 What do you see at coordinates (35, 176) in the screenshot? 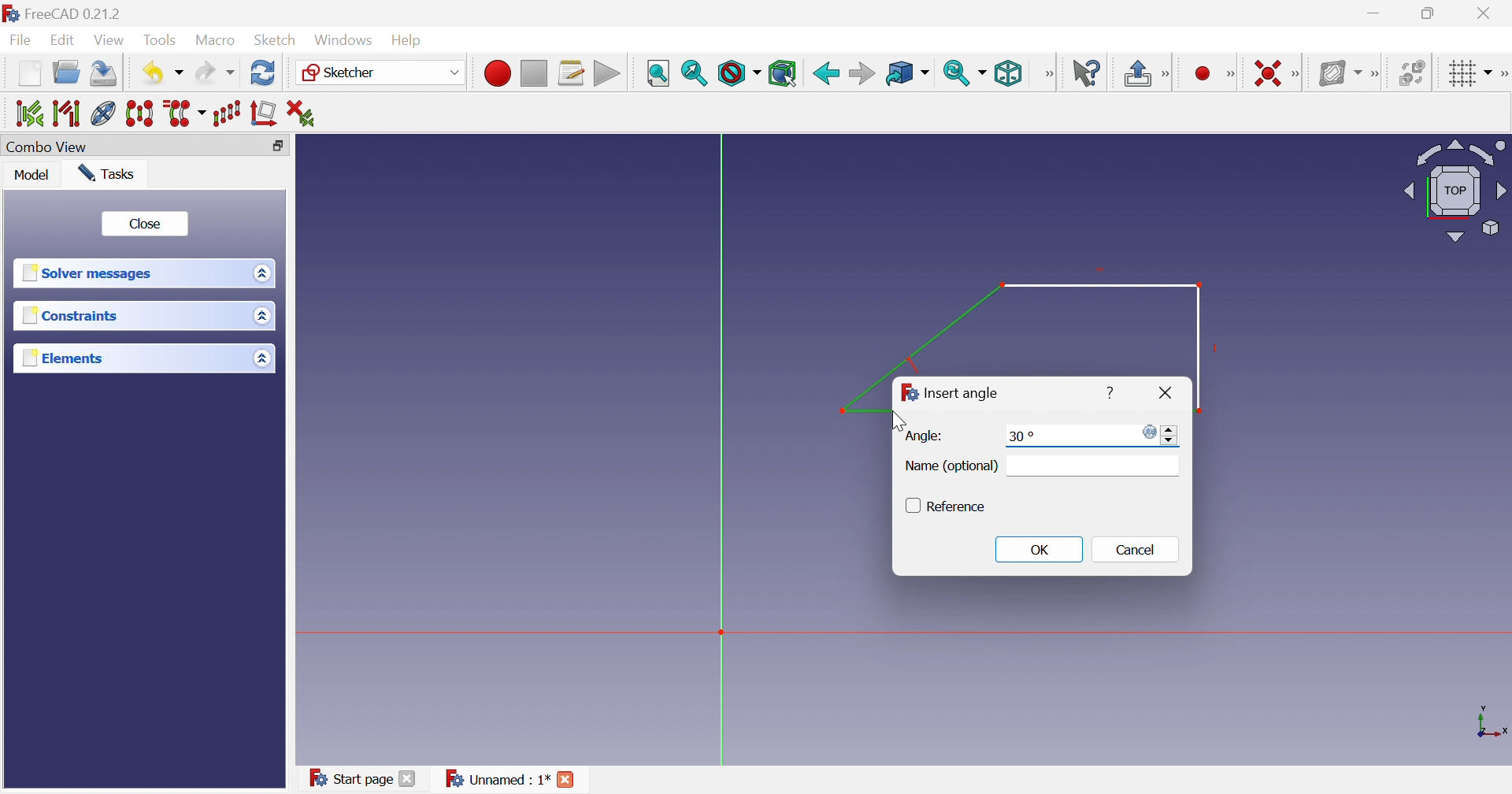
I see `Model` at bounding box center [35, 176].